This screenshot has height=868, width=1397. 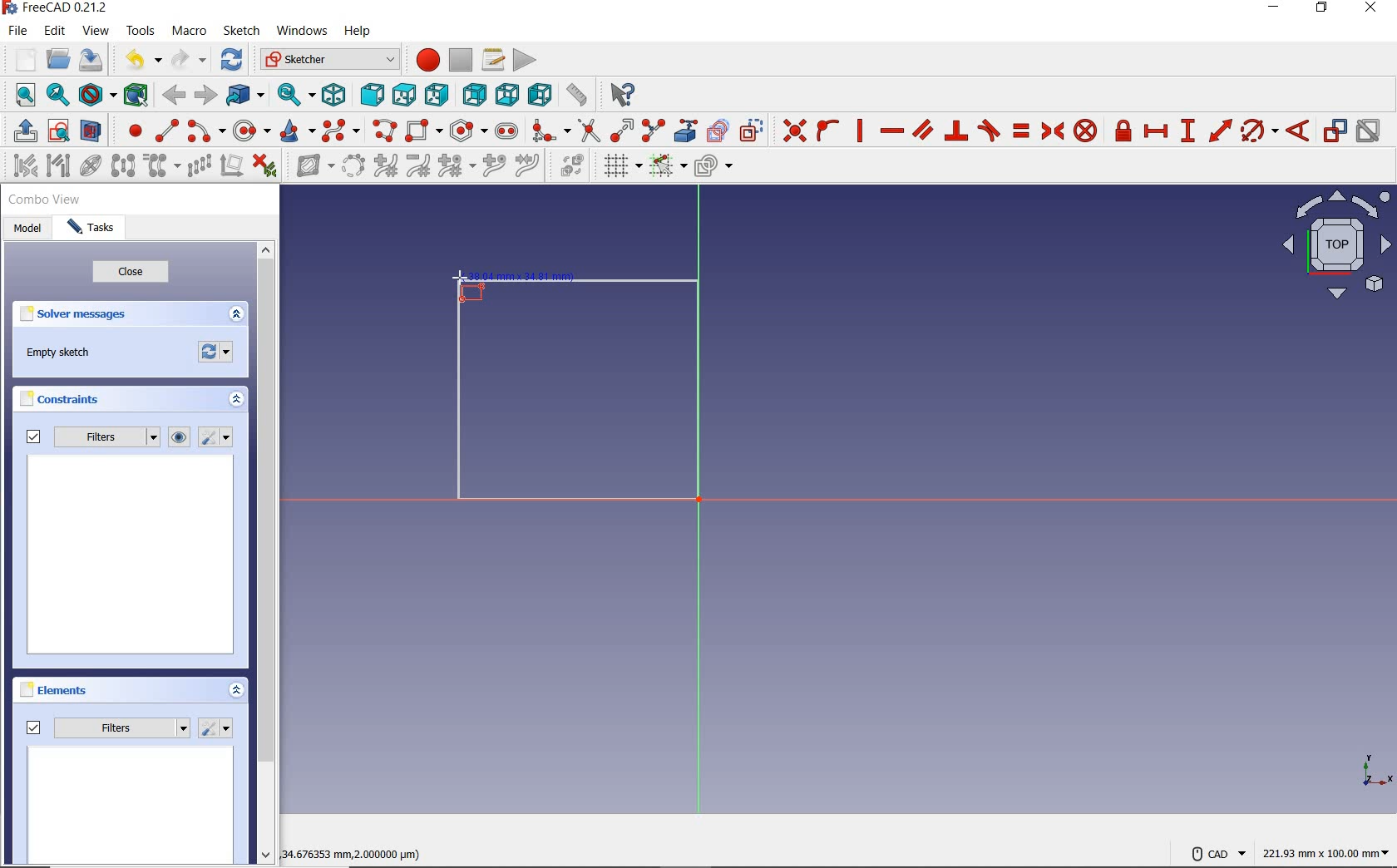 I want to click on create B-Spline, so click(x=343, y=131).